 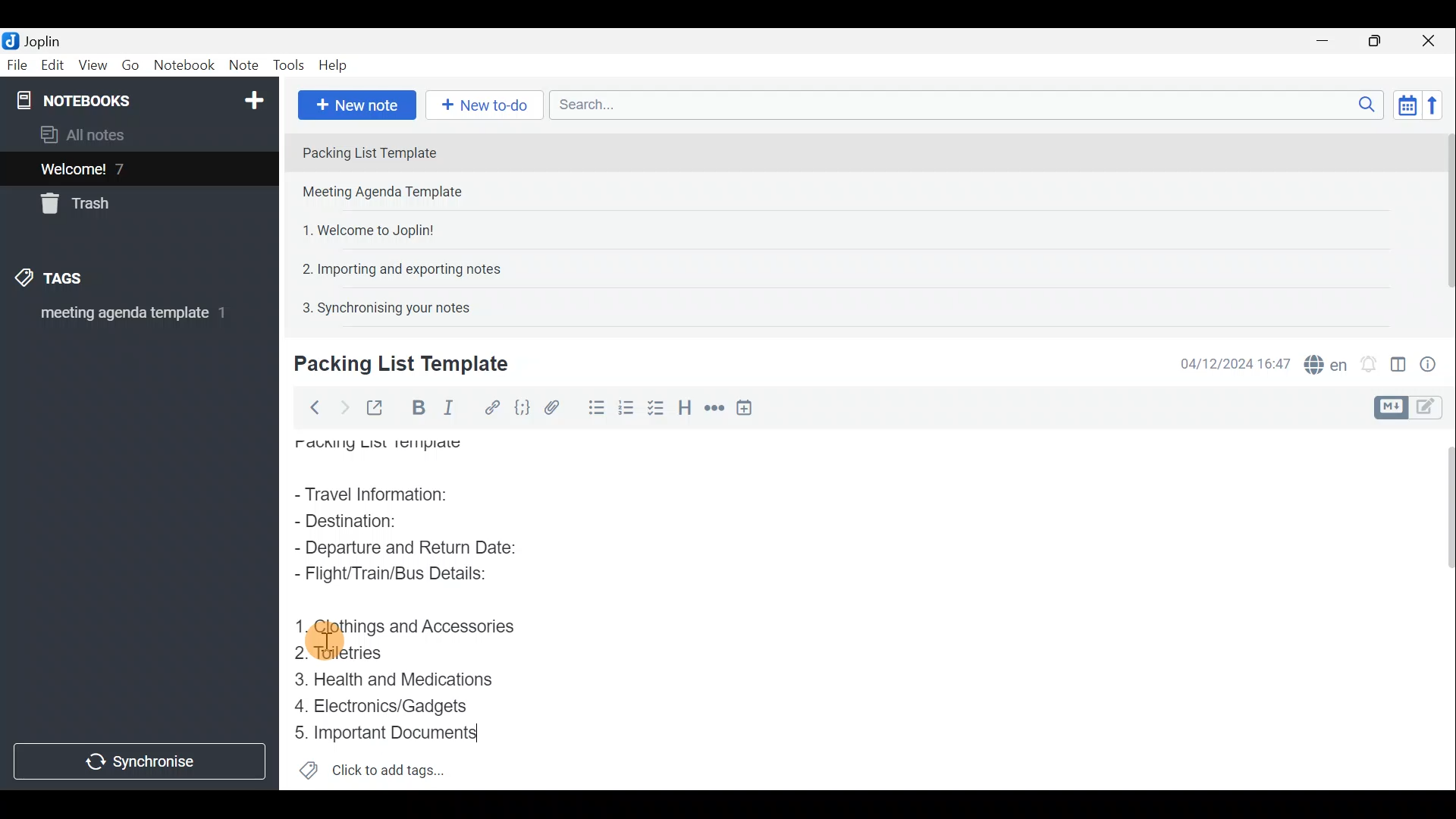 What do you see at coordinates (1402, 105) in the screenshot?
I see `Toggle sort order field` at bounding box center [1402, 105].